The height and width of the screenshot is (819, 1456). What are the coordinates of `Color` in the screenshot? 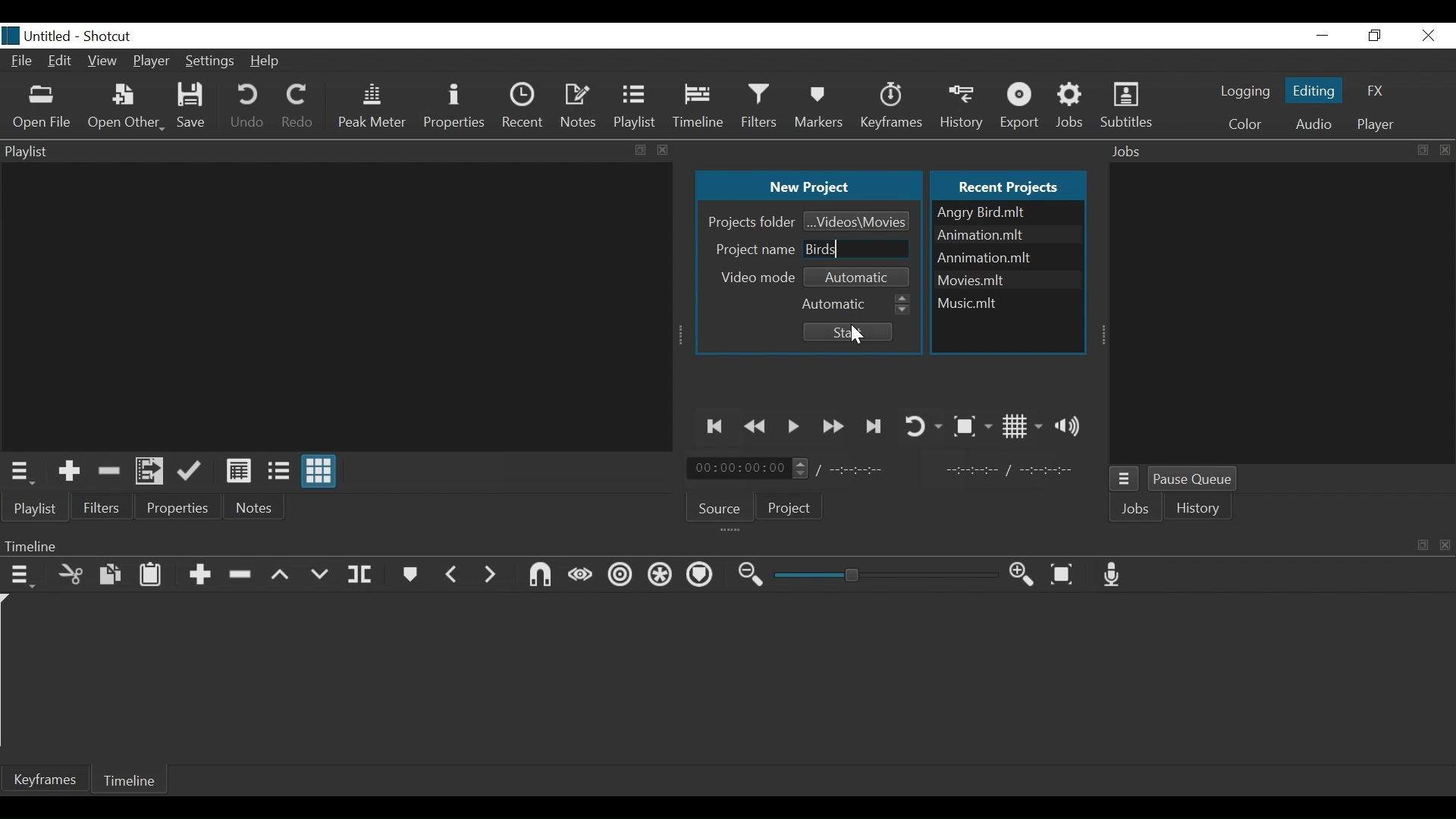 It's located at (1245, 124).